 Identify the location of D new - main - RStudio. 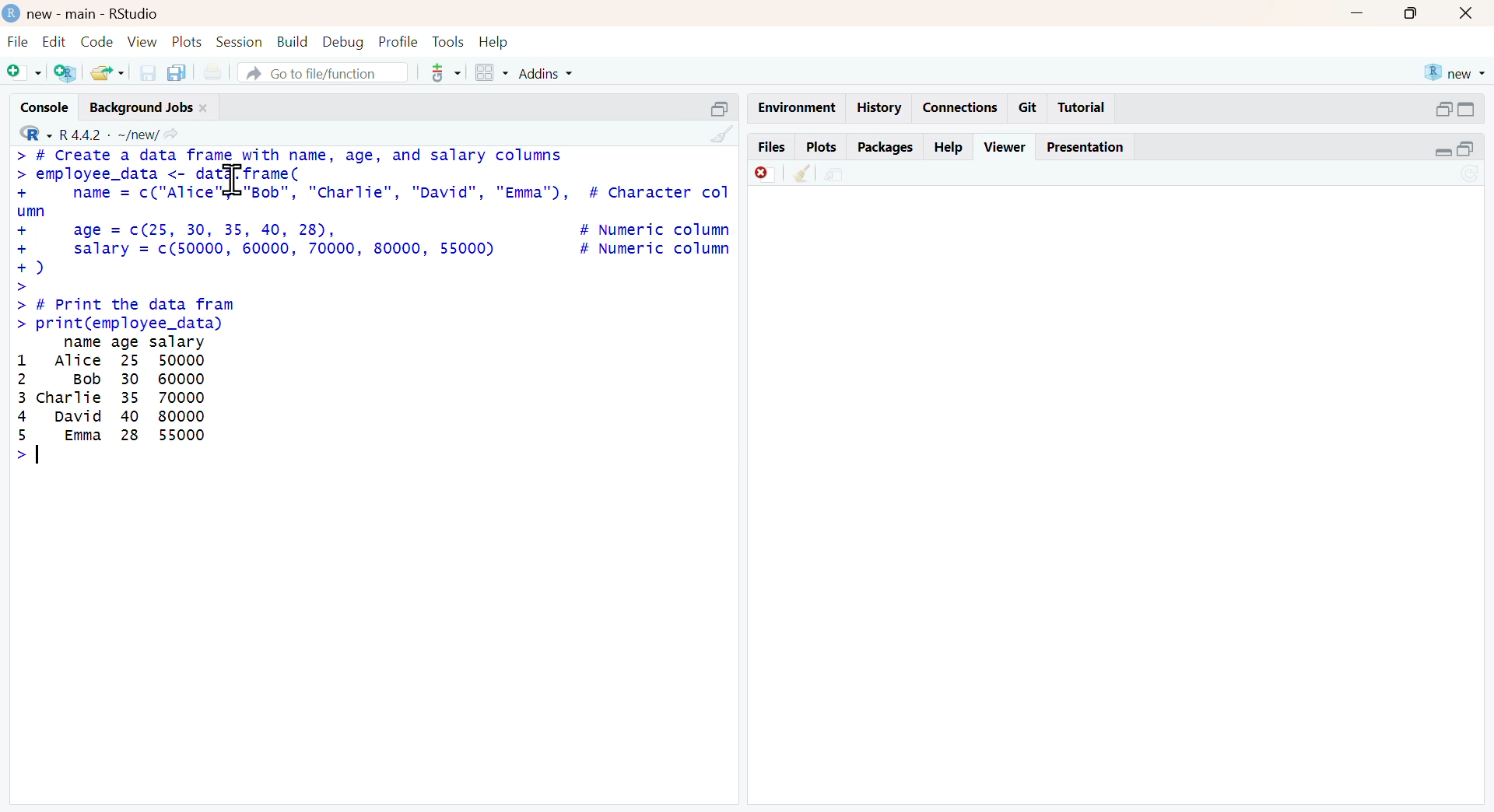
(93, 13).